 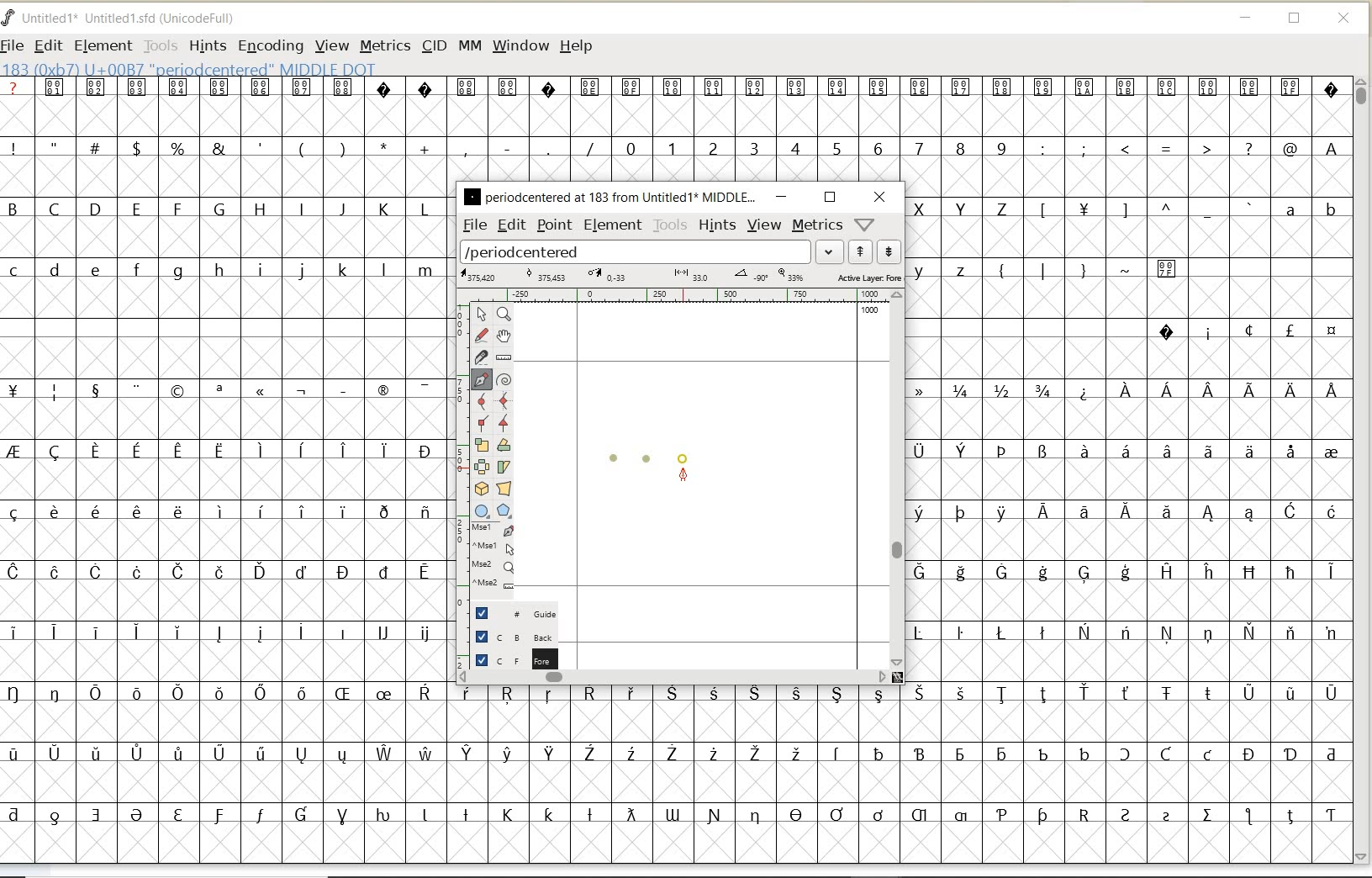 I want to click on TOOLS, so click(x=161, y=45).